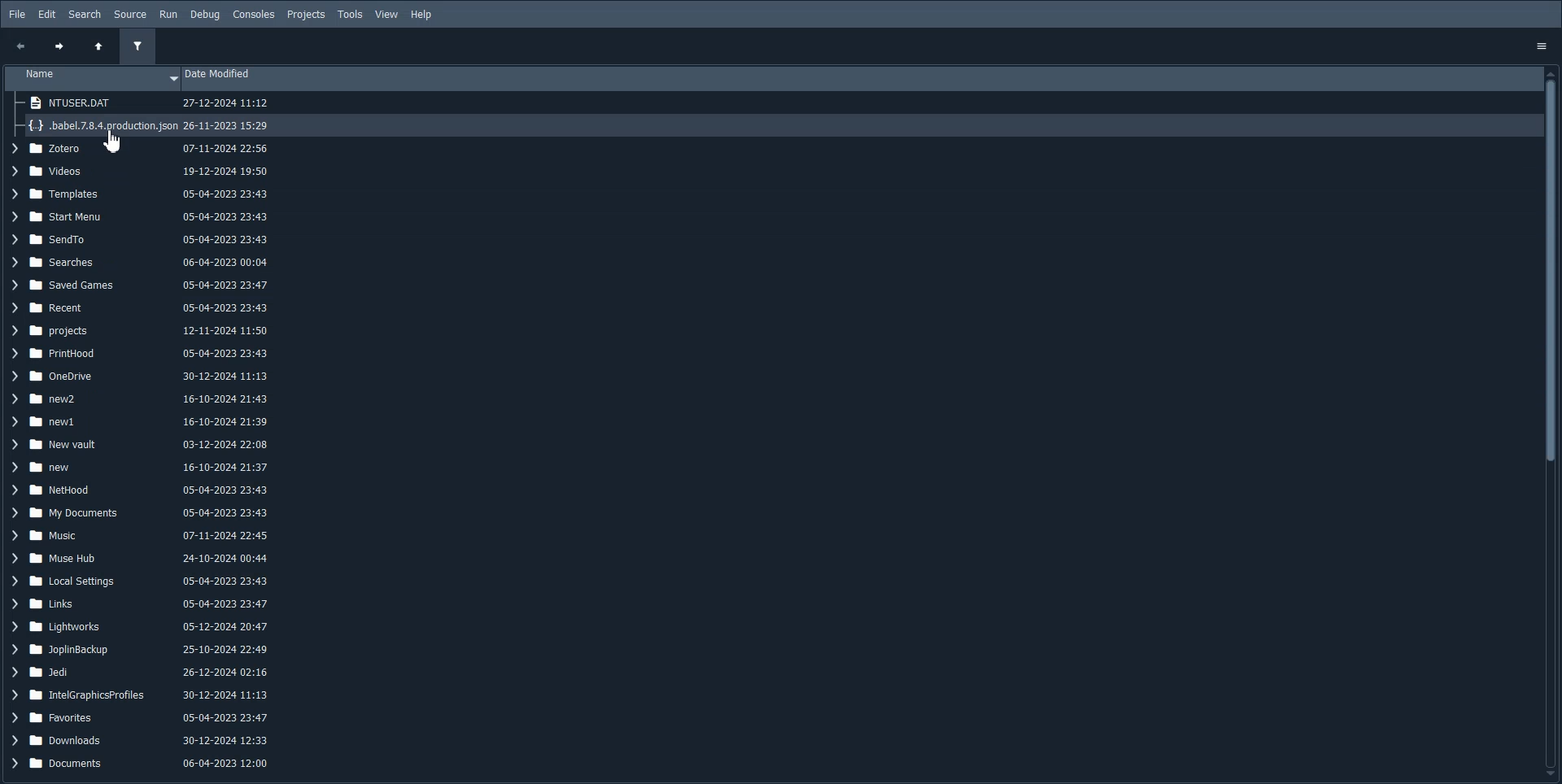  What do you see at coordinates (205, 15) in the screenshot?
I see `Debug` at bounding box center [205, 15].